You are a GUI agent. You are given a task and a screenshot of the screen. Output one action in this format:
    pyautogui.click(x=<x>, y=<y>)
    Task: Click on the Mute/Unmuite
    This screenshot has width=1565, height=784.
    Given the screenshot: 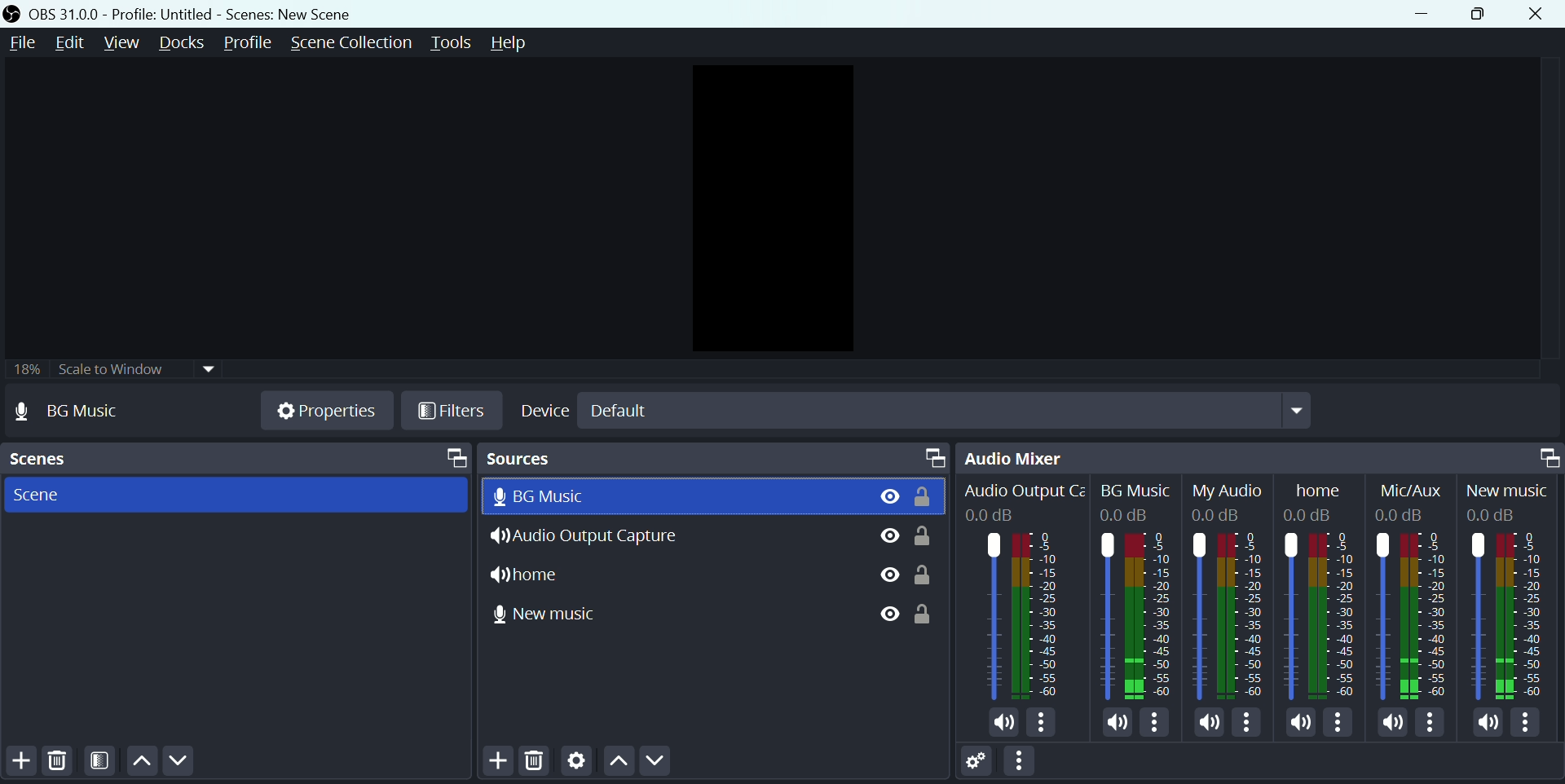 What is the action you would take?
    pyautogui.click(x=1208, y=725)
    